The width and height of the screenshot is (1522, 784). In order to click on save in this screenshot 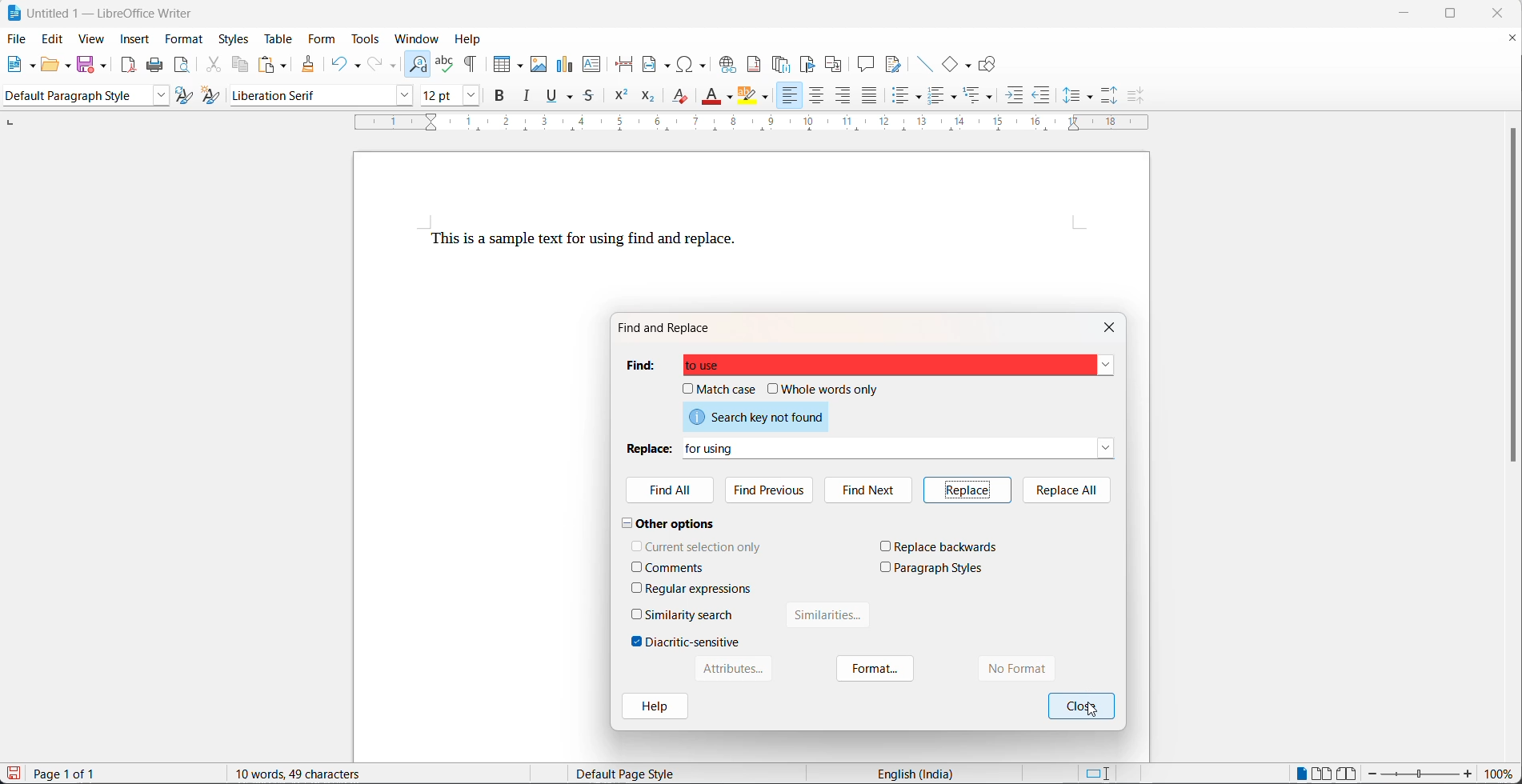, I will do `click(14, 773)`.